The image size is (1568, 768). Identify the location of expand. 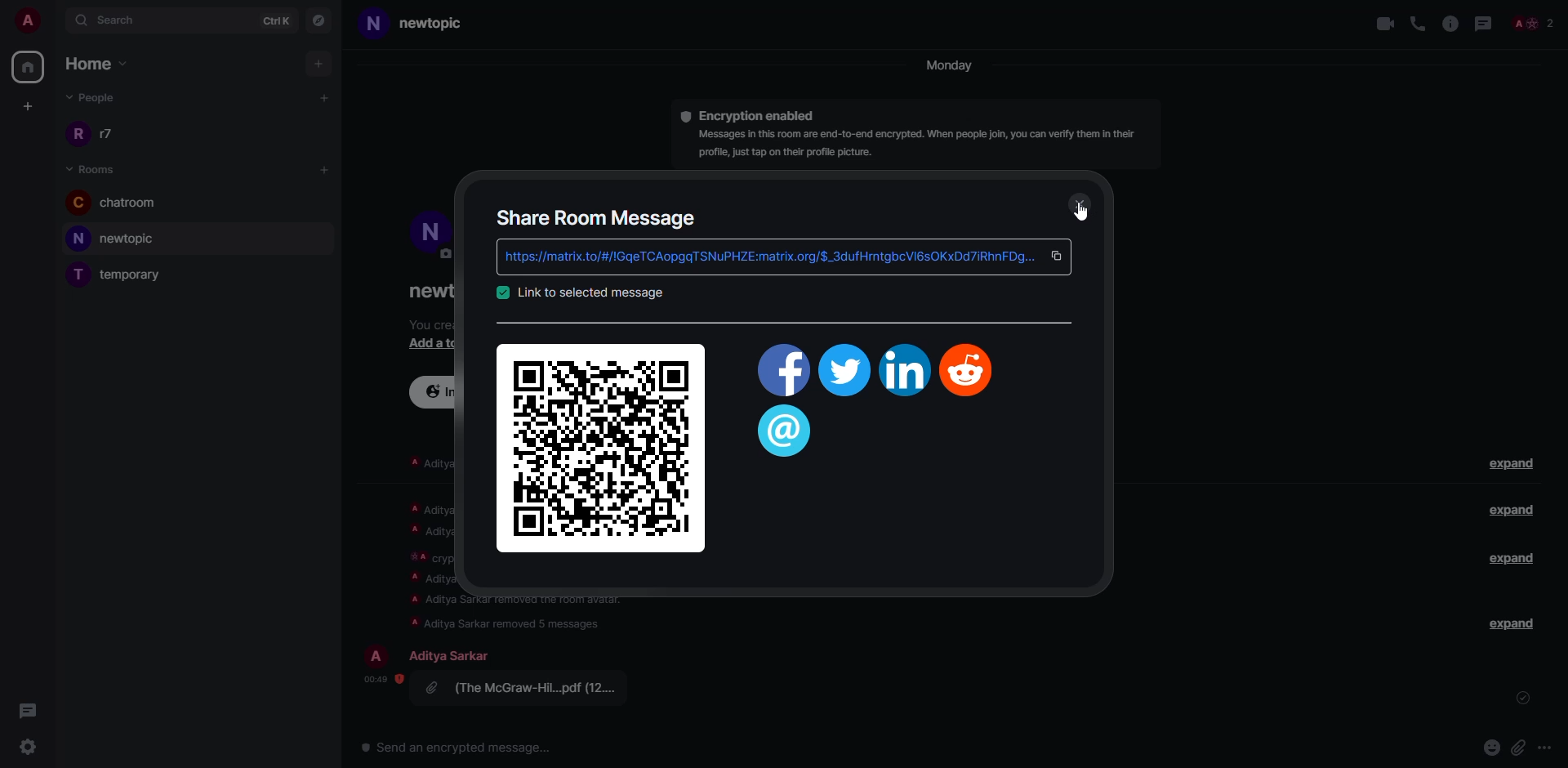
(1511, 510).